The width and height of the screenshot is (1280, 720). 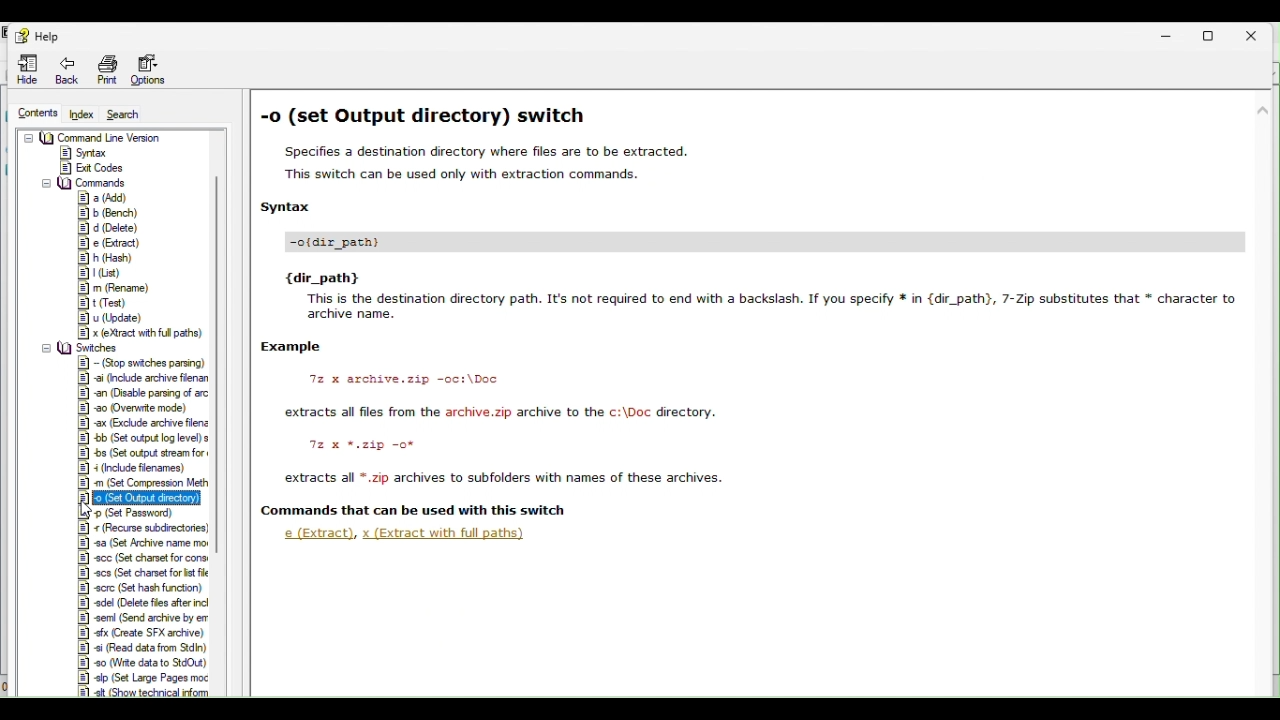 I want to click on add, so click(x=101, y=195).